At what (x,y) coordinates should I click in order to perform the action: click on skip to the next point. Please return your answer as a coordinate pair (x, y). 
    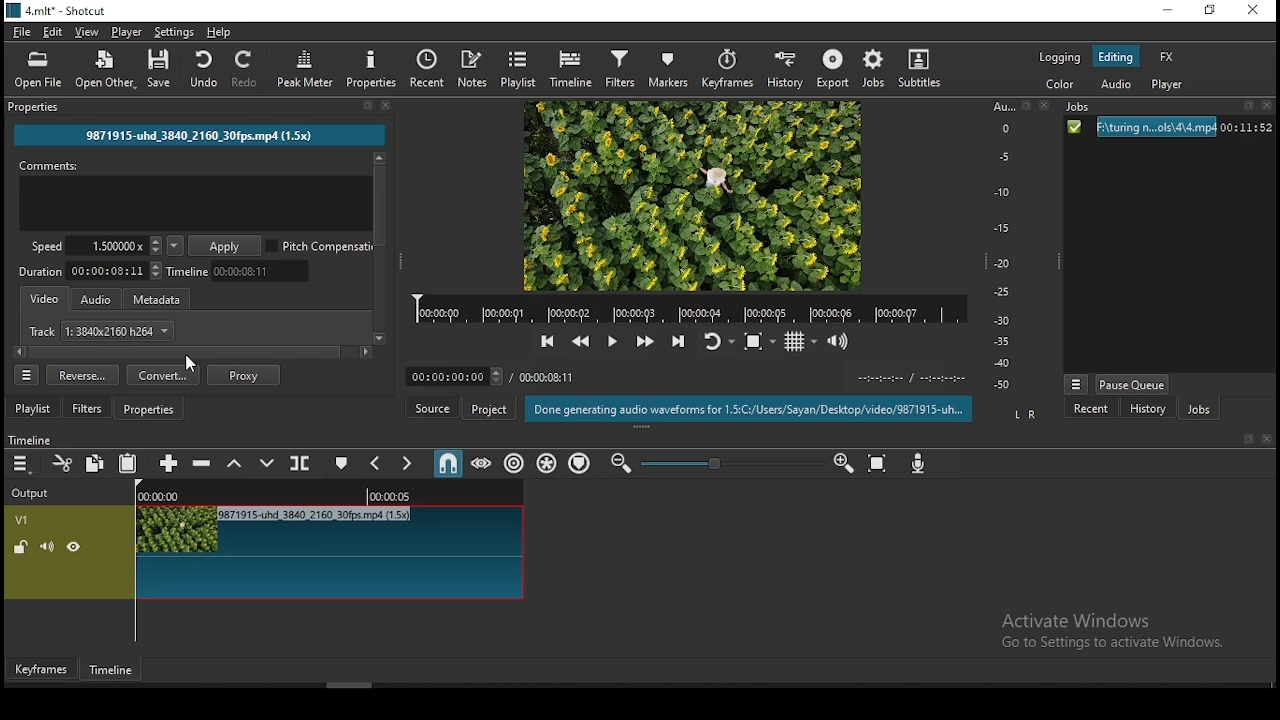
    Looking at the image, I should click on (678, 343).